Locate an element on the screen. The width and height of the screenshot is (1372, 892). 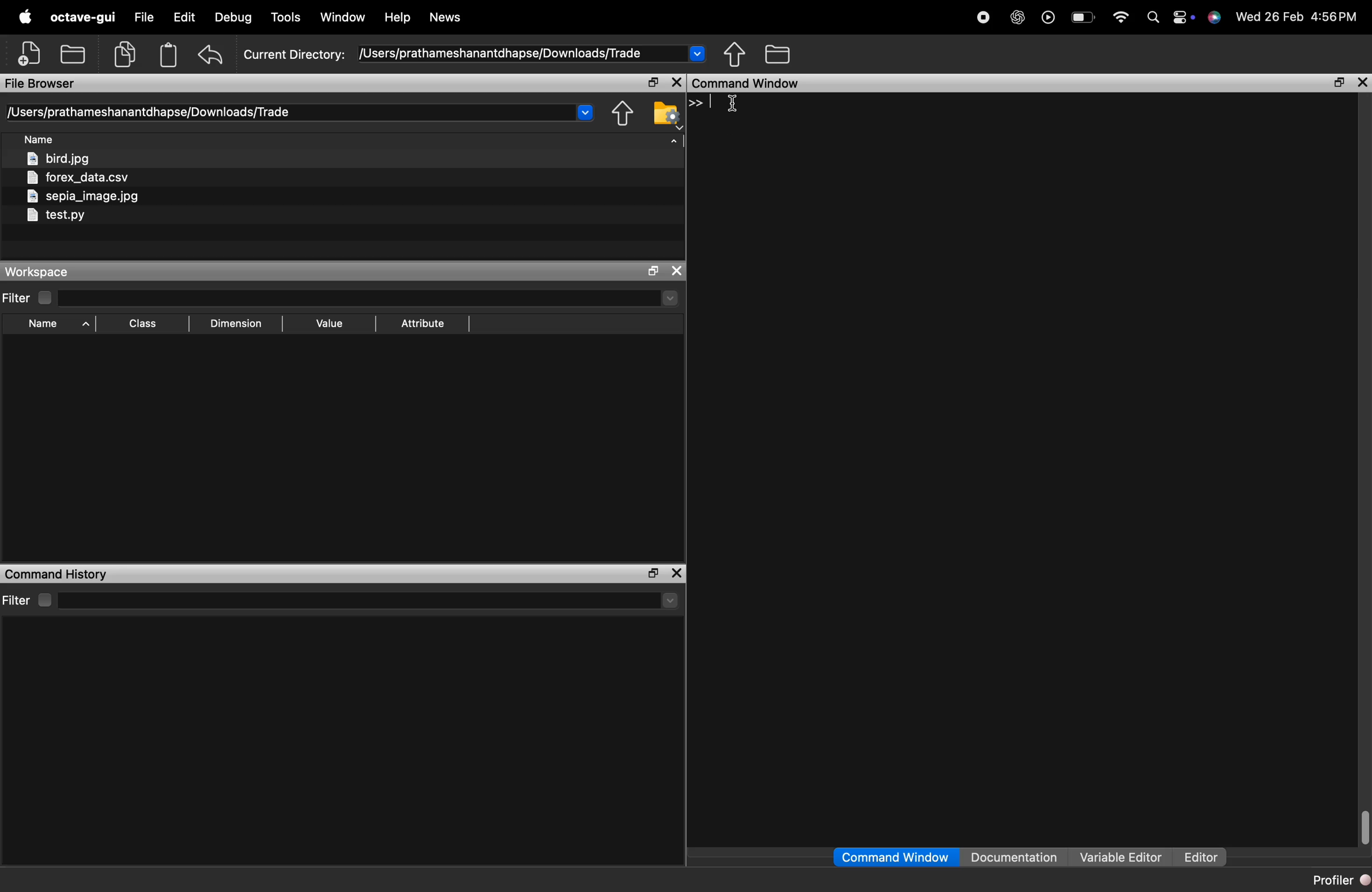
close is located at coordinates (1364, 82).